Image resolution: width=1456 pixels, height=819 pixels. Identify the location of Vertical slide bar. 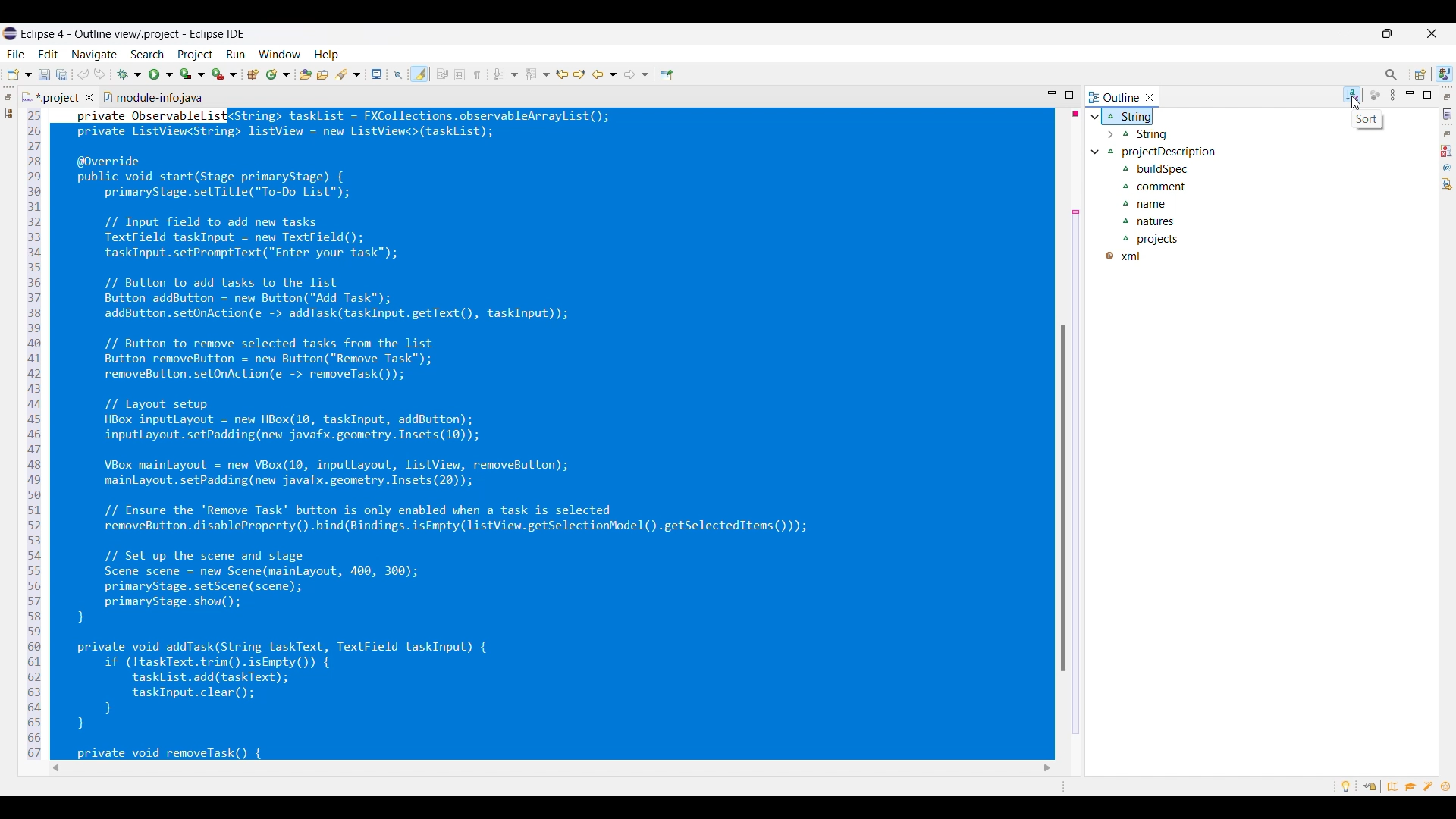
(1420, 506).